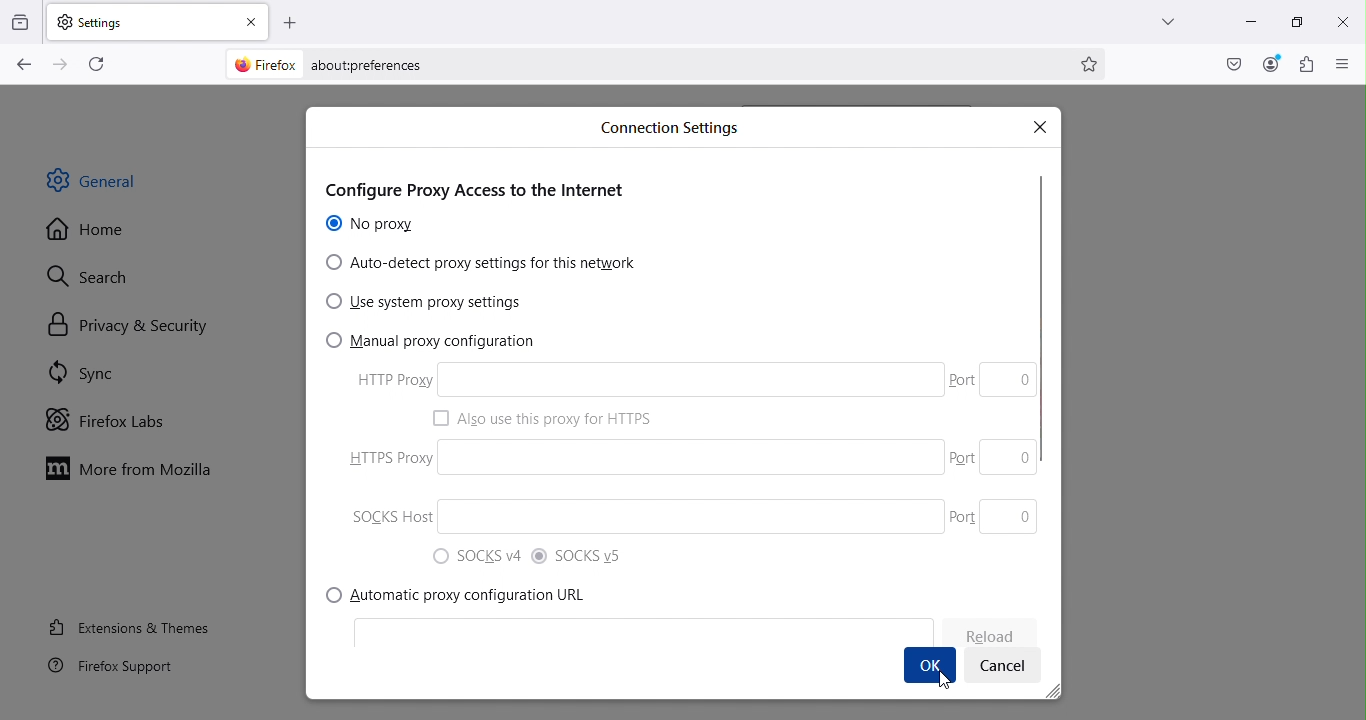 This screenshot has height=720, width=1366. What do you see at coordinates (1358, 401) in the screenshot?
I see `Scroll bar` at bounding box center [1358, 401].